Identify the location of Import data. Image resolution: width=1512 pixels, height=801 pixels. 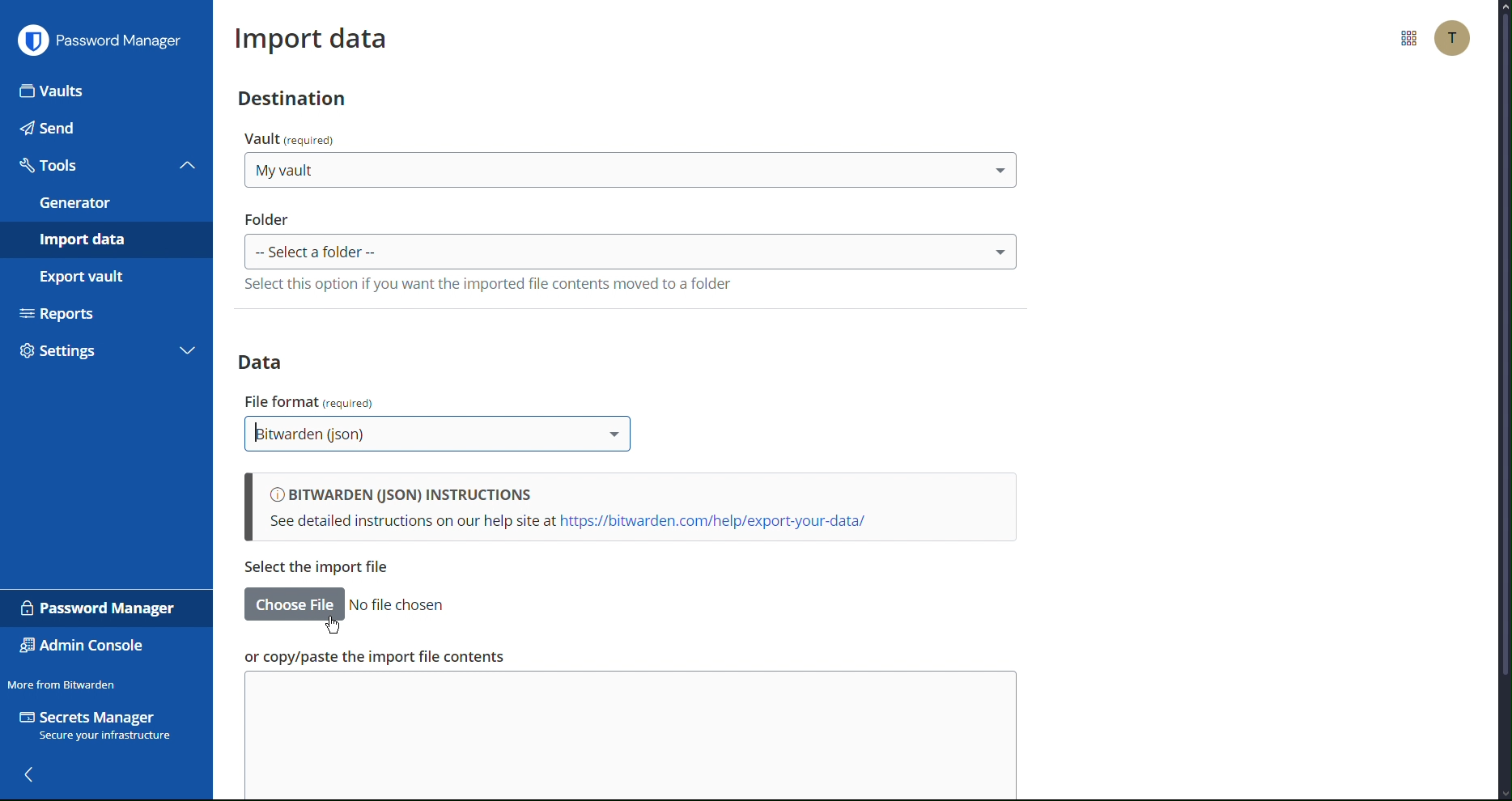
(105, 239).